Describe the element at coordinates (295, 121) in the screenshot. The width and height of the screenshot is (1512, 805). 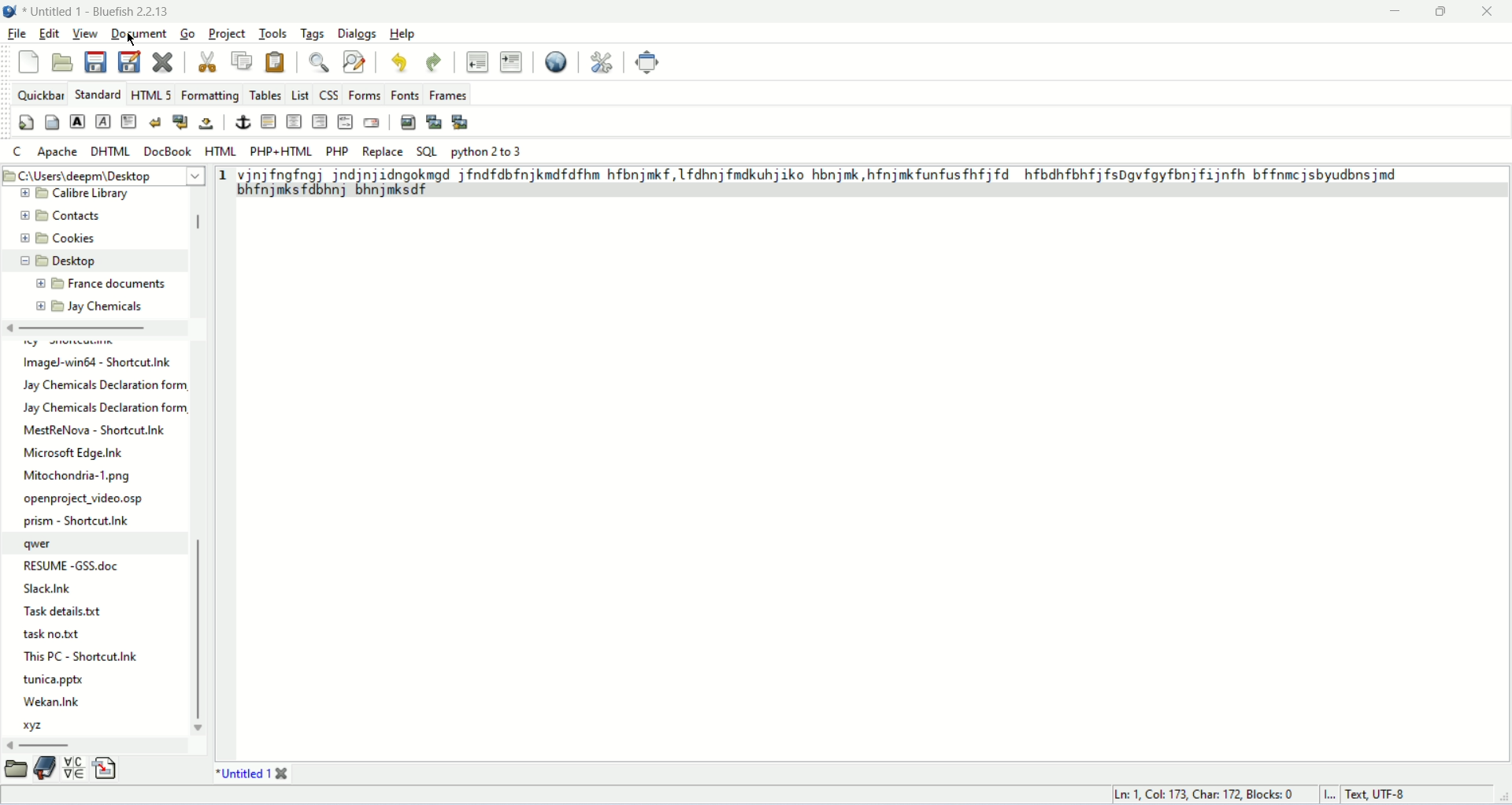
I see `center` at that location.